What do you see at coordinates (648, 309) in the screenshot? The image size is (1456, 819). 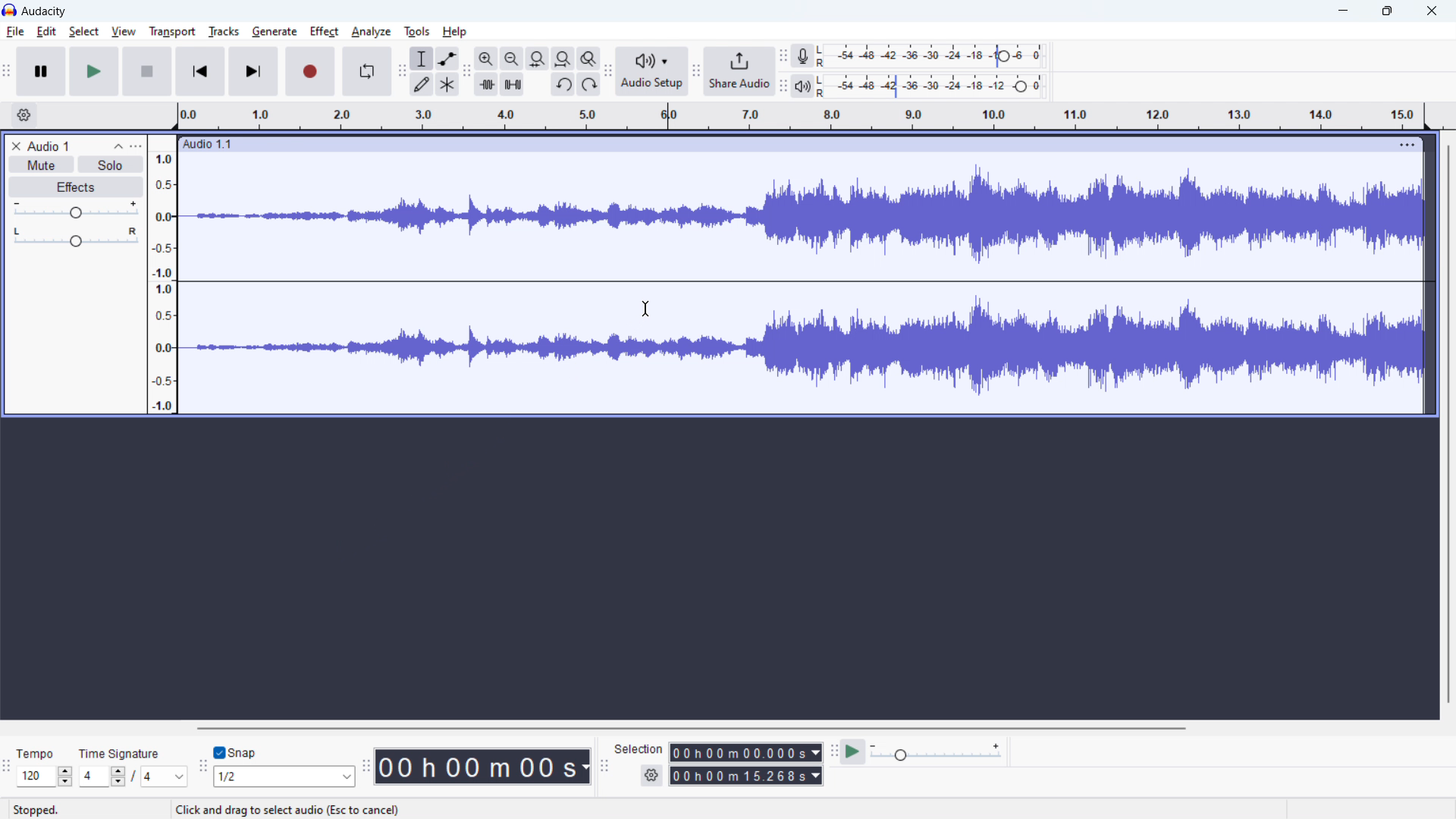 I see `cursor` at bounding box center [648, 309].